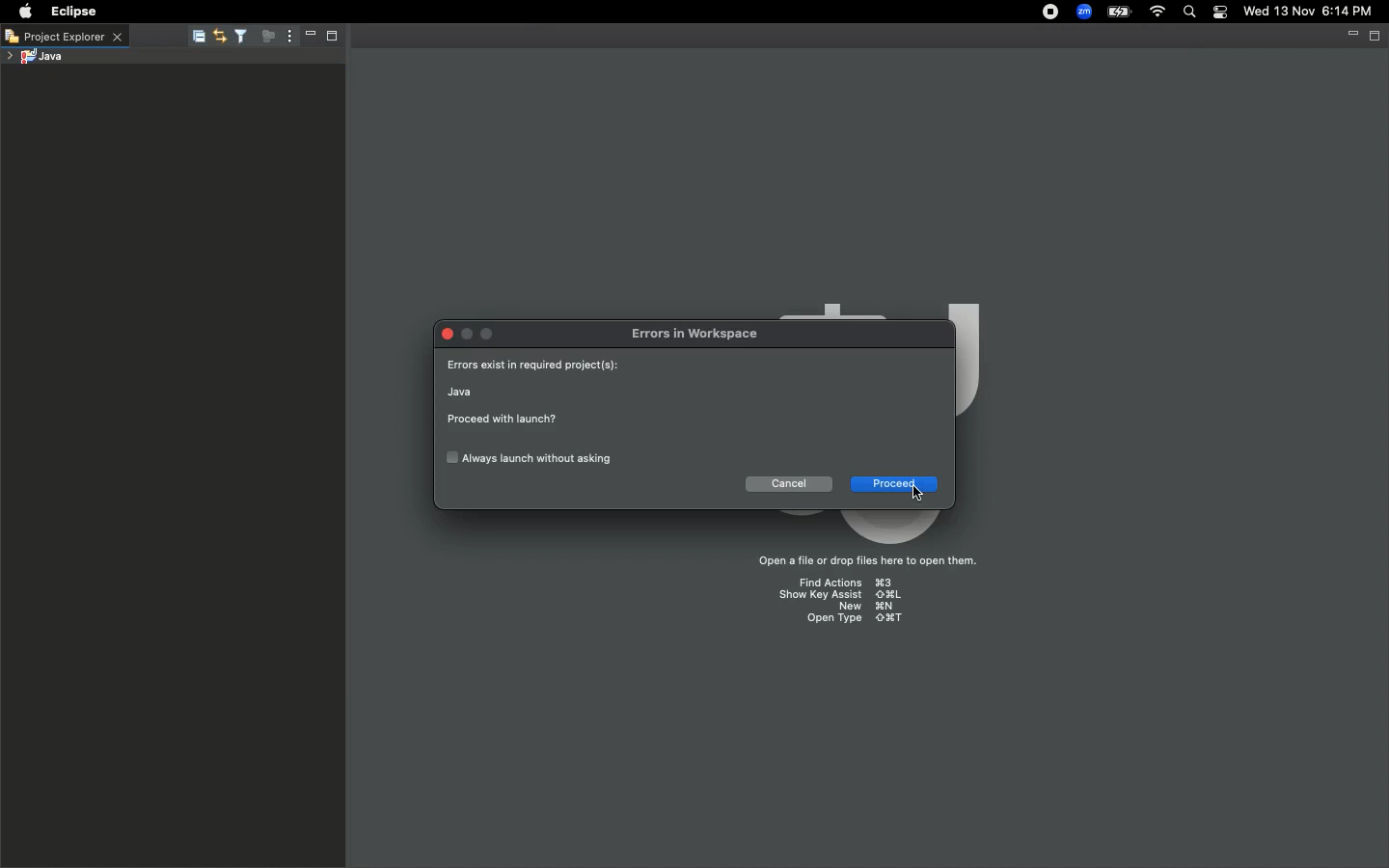  I want to click on Select and deselect filters , so click(241, 38).